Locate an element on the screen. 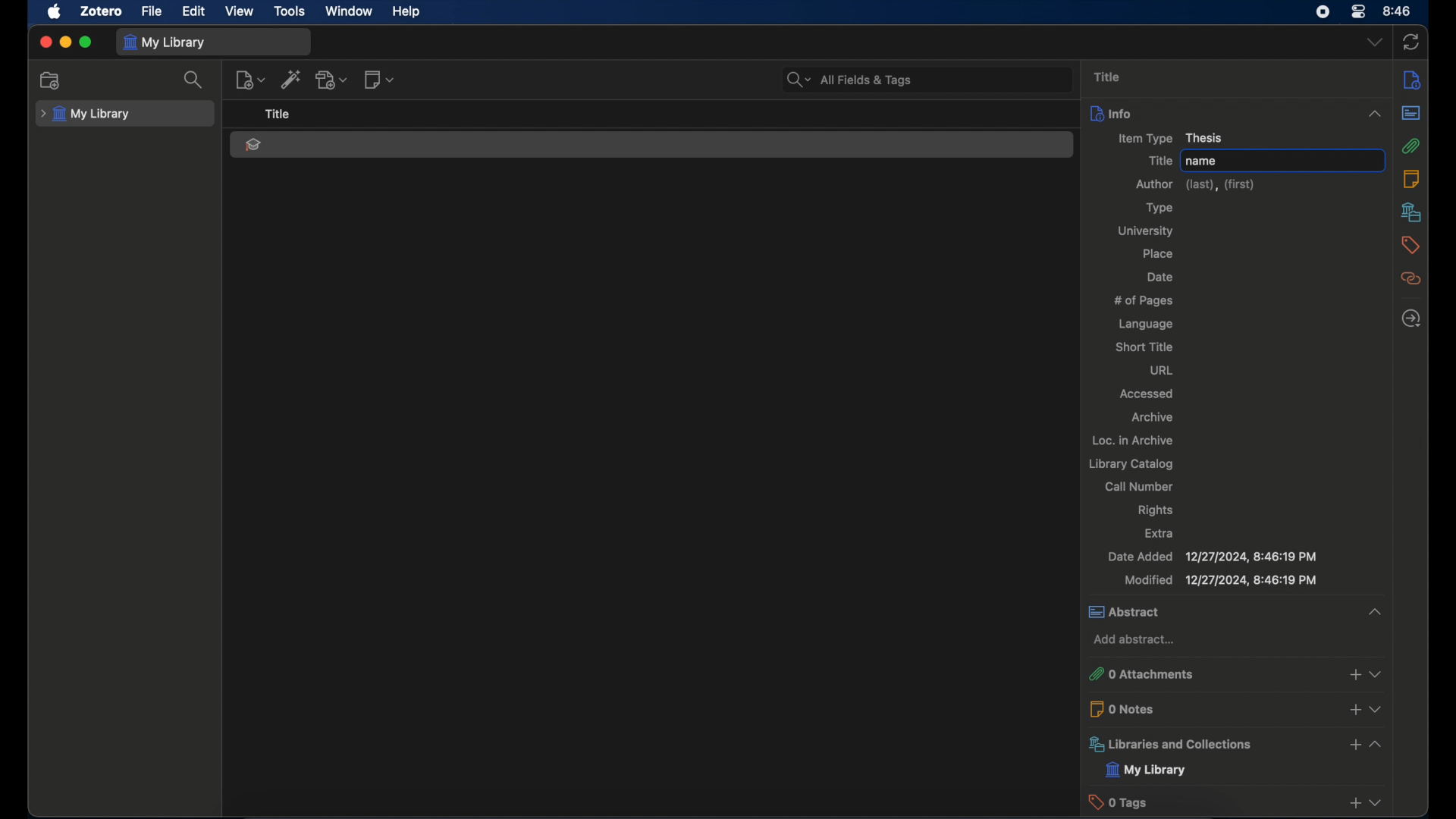  author is located at coordinates (1195, 185).